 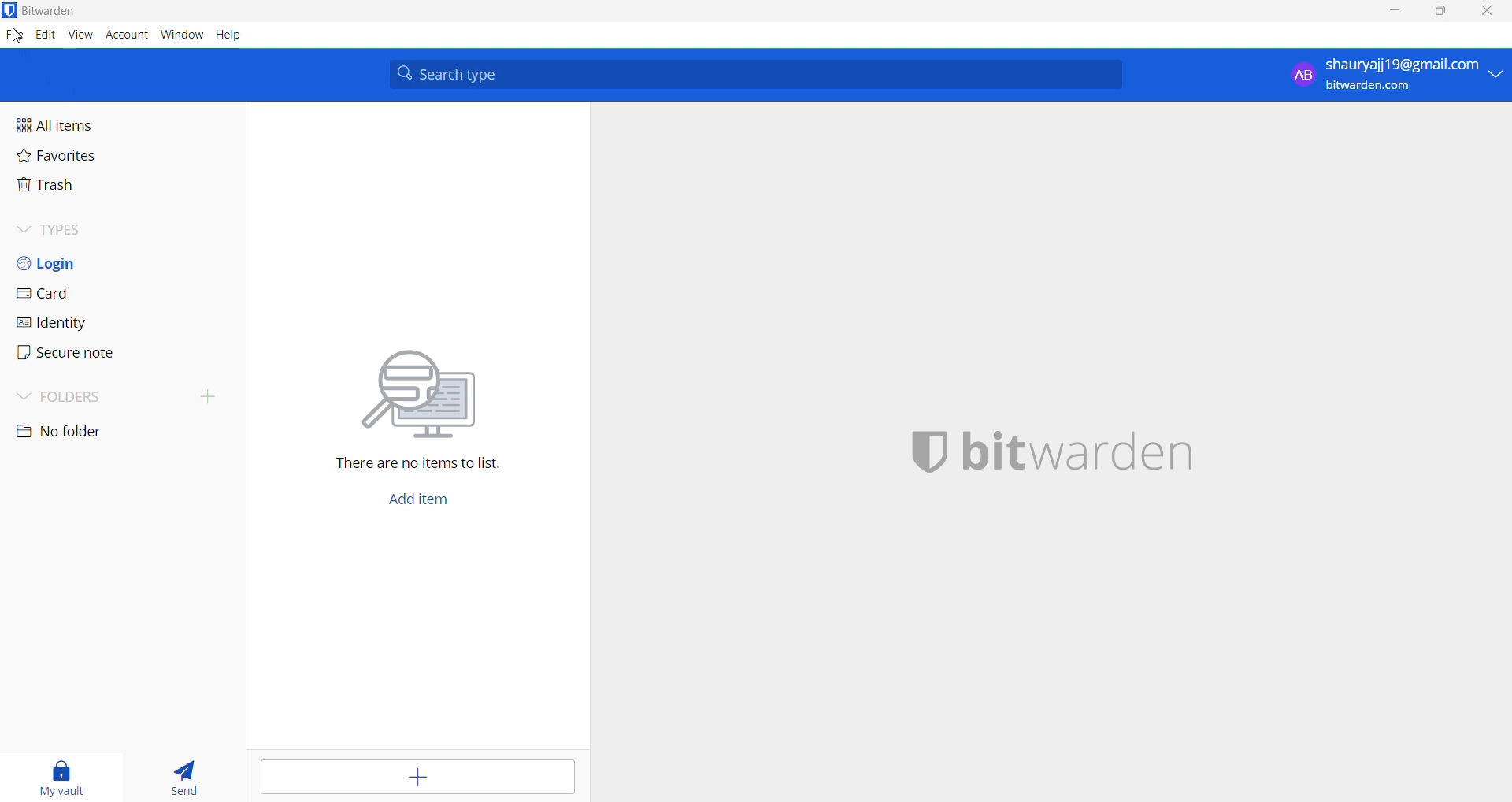 What do you see at coordinates (80, 35) in the screenshot?
I see `view` at bounding box center [80, 35].